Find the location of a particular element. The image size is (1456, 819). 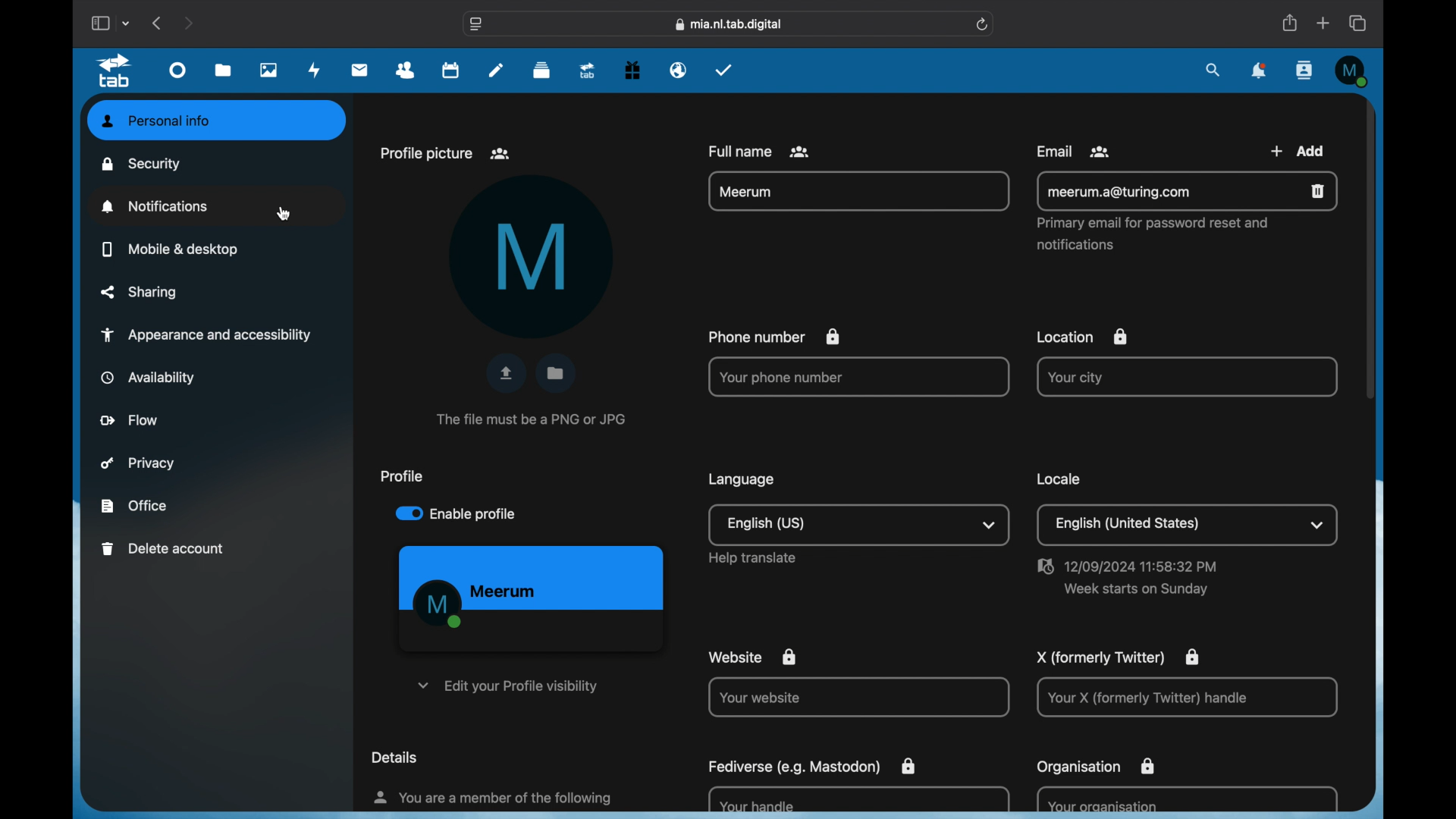

activity is located at coordinates (315, 70).